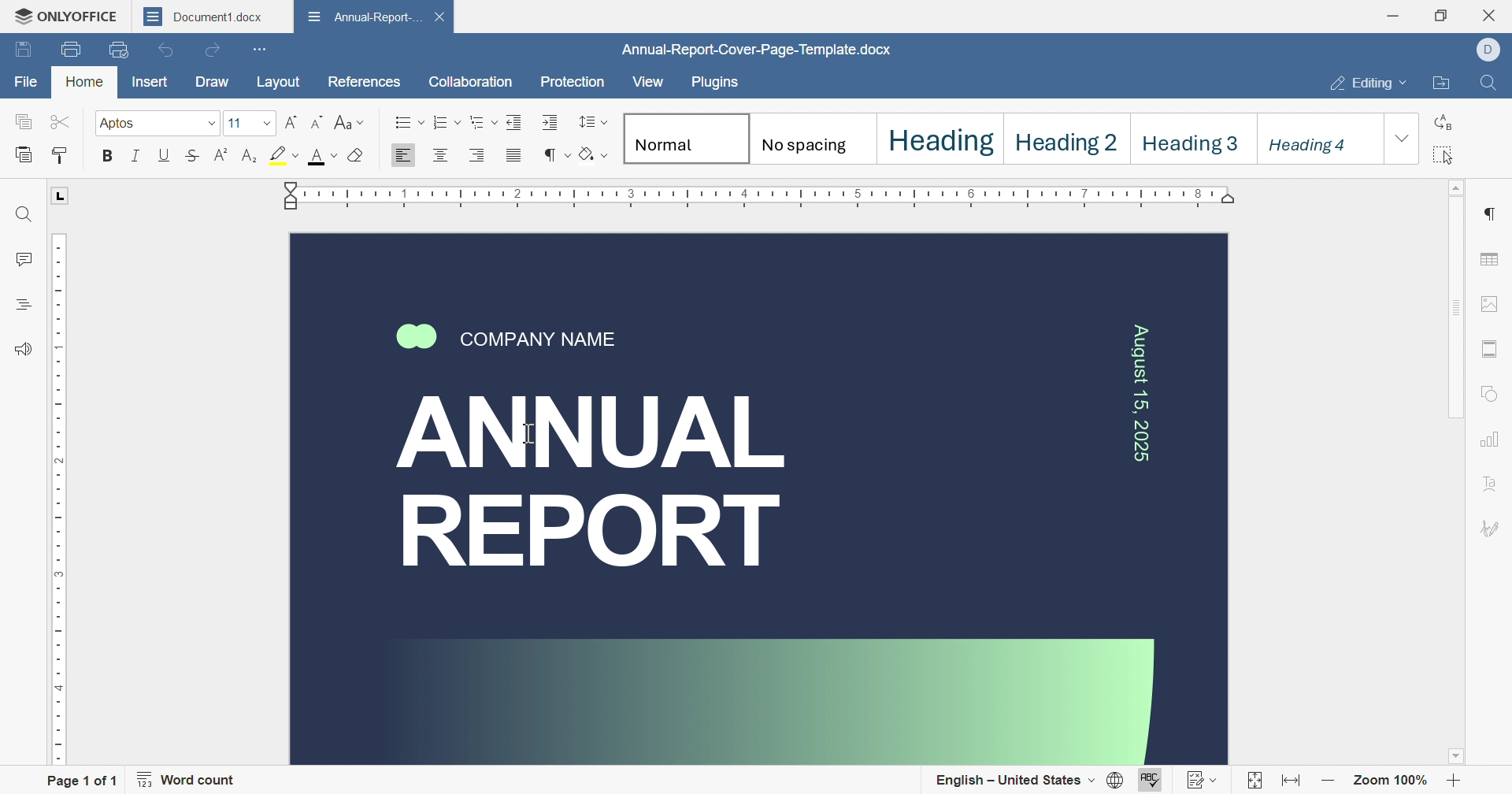  What do you see at coordinates (293, 122) in the screenshot?
I see `increment font size` at bounding box center [293, 122].